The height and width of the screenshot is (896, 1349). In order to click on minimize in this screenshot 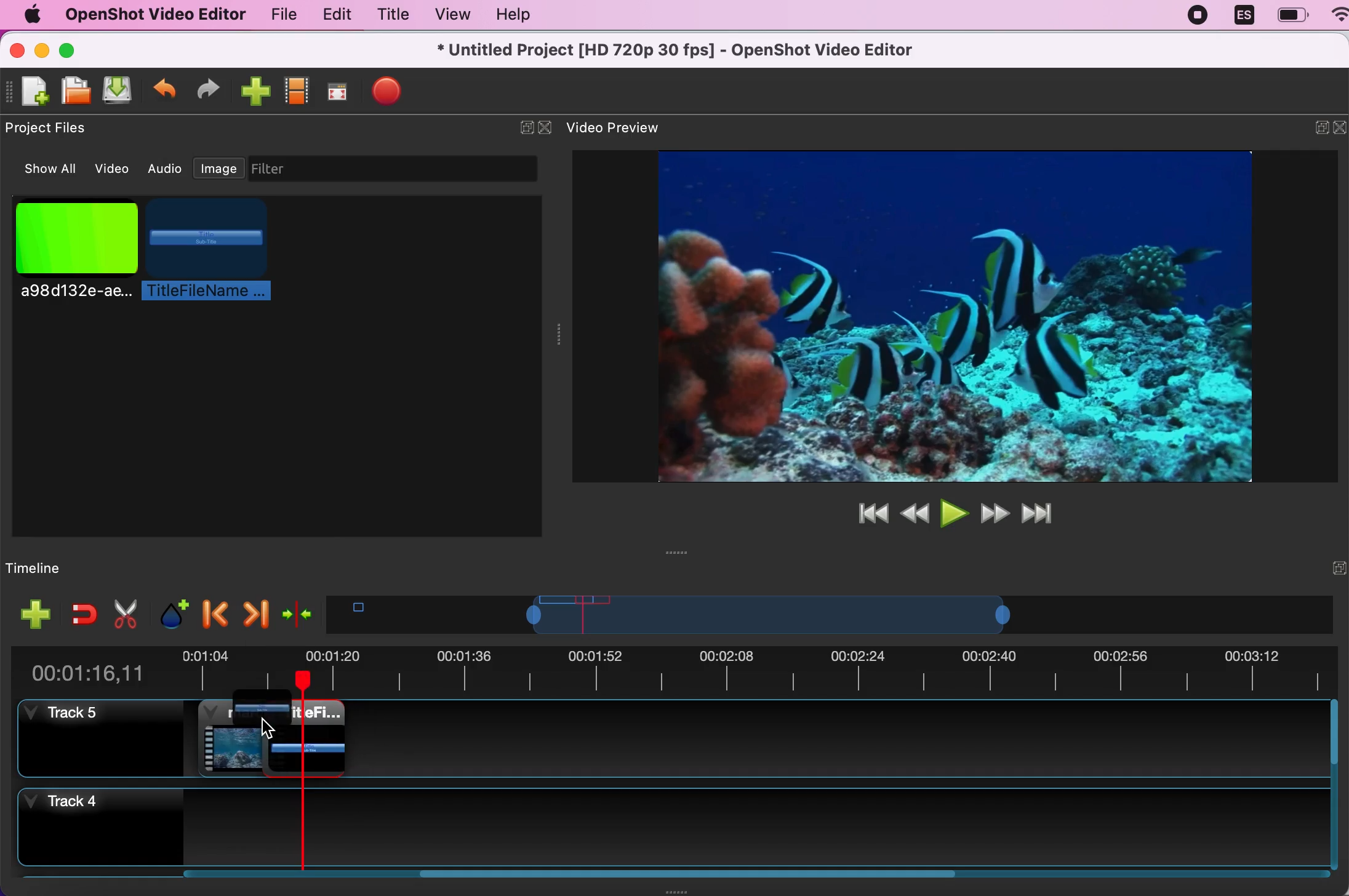, I will do `click(1312, 130)`.